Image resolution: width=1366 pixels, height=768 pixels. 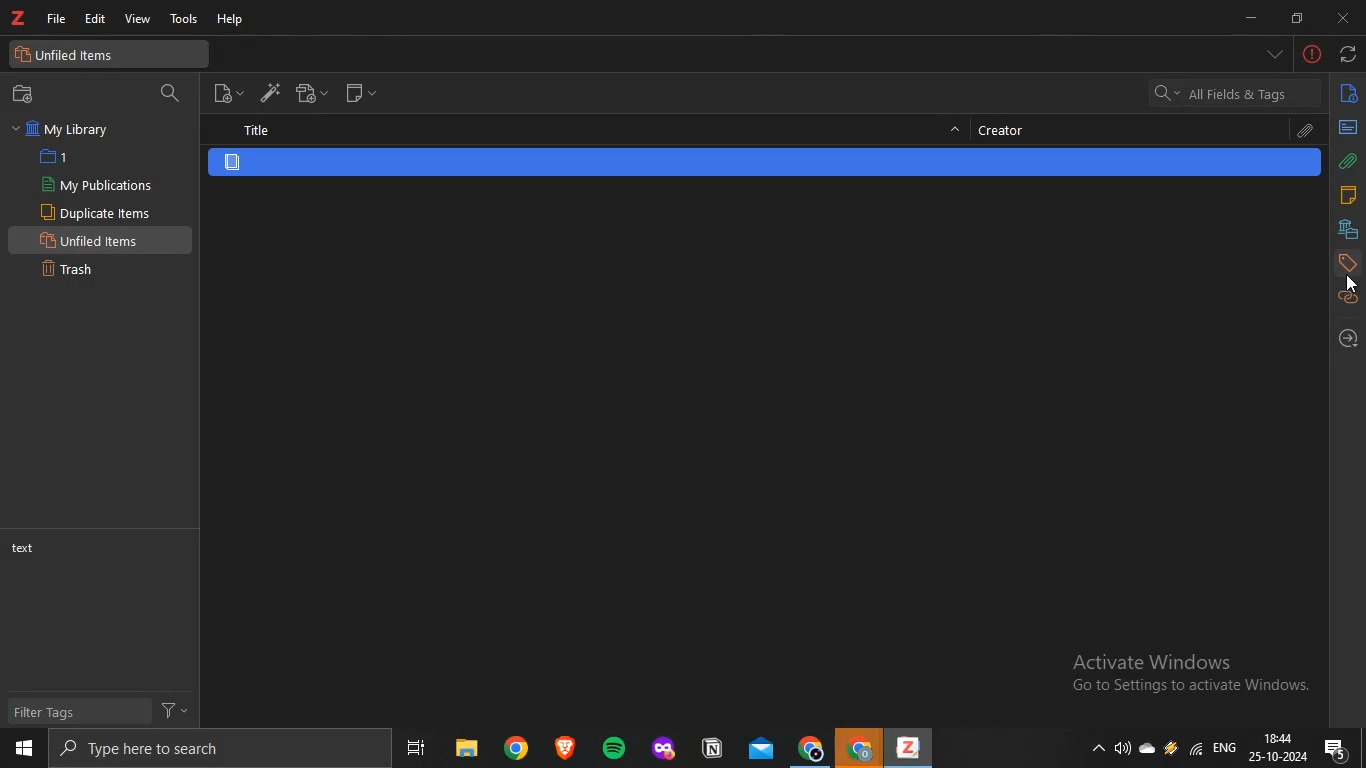 I want to click on eng, so click(x=1224, y=750).